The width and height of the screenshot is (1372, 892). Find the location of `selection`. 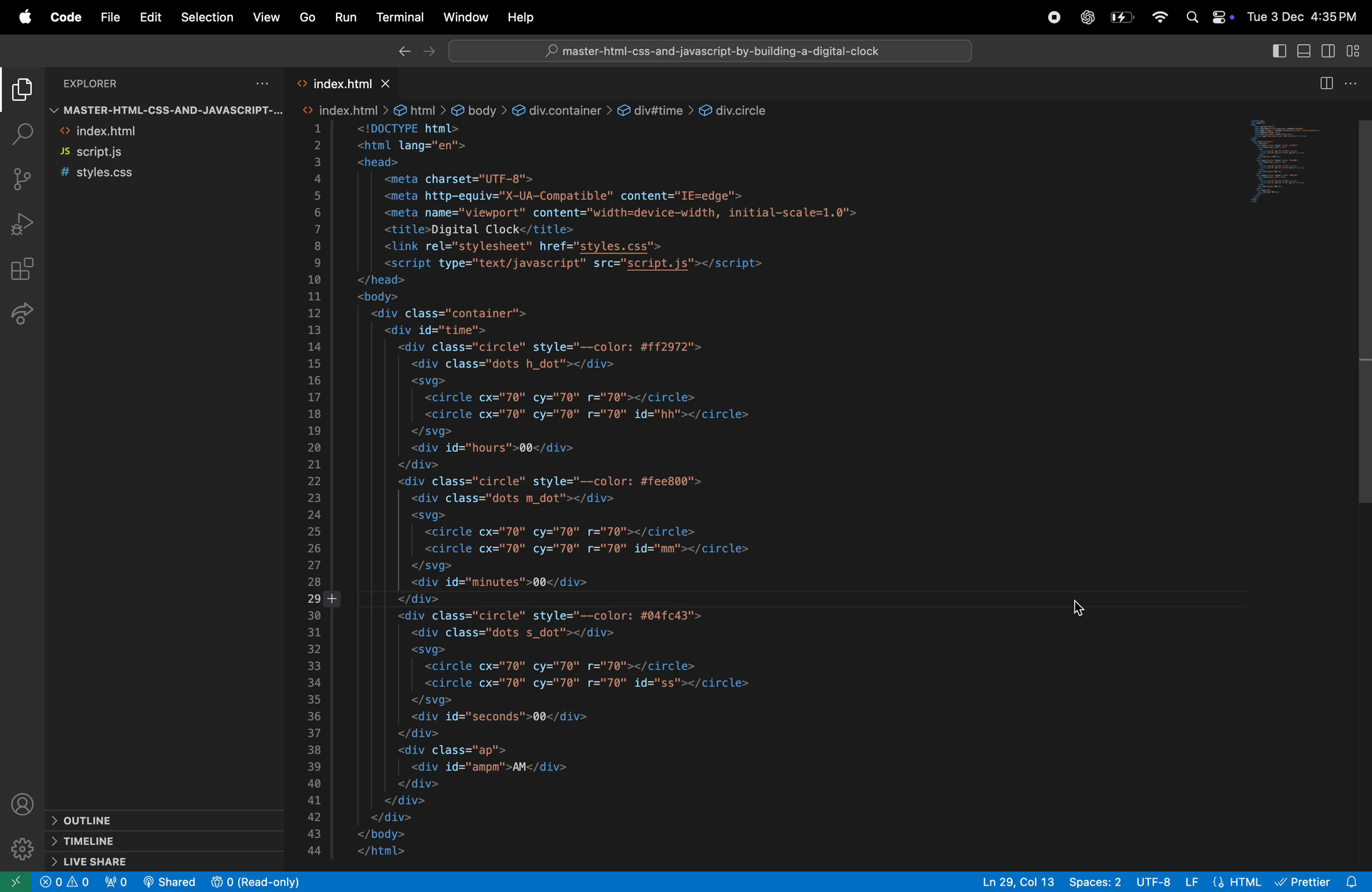

selection is located at coordinates (205, 17).